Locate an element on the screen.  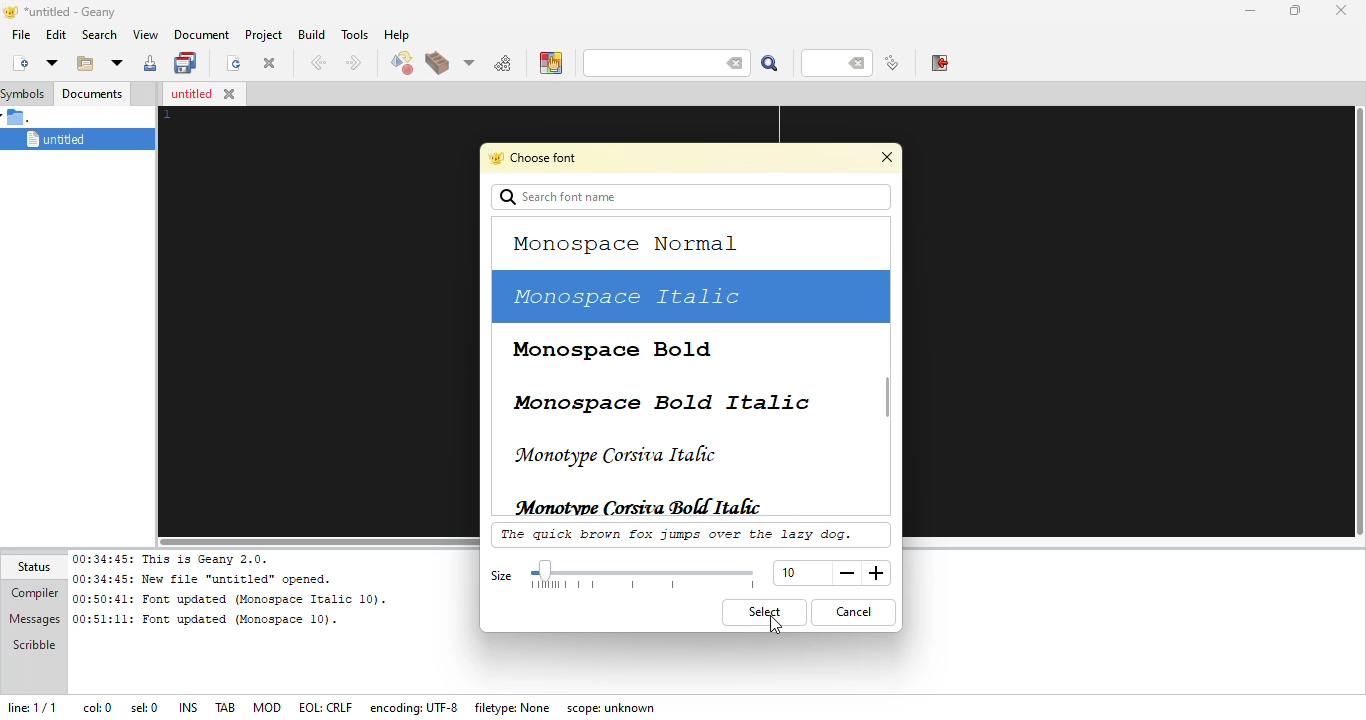
size is located at coordinates (793, 571).